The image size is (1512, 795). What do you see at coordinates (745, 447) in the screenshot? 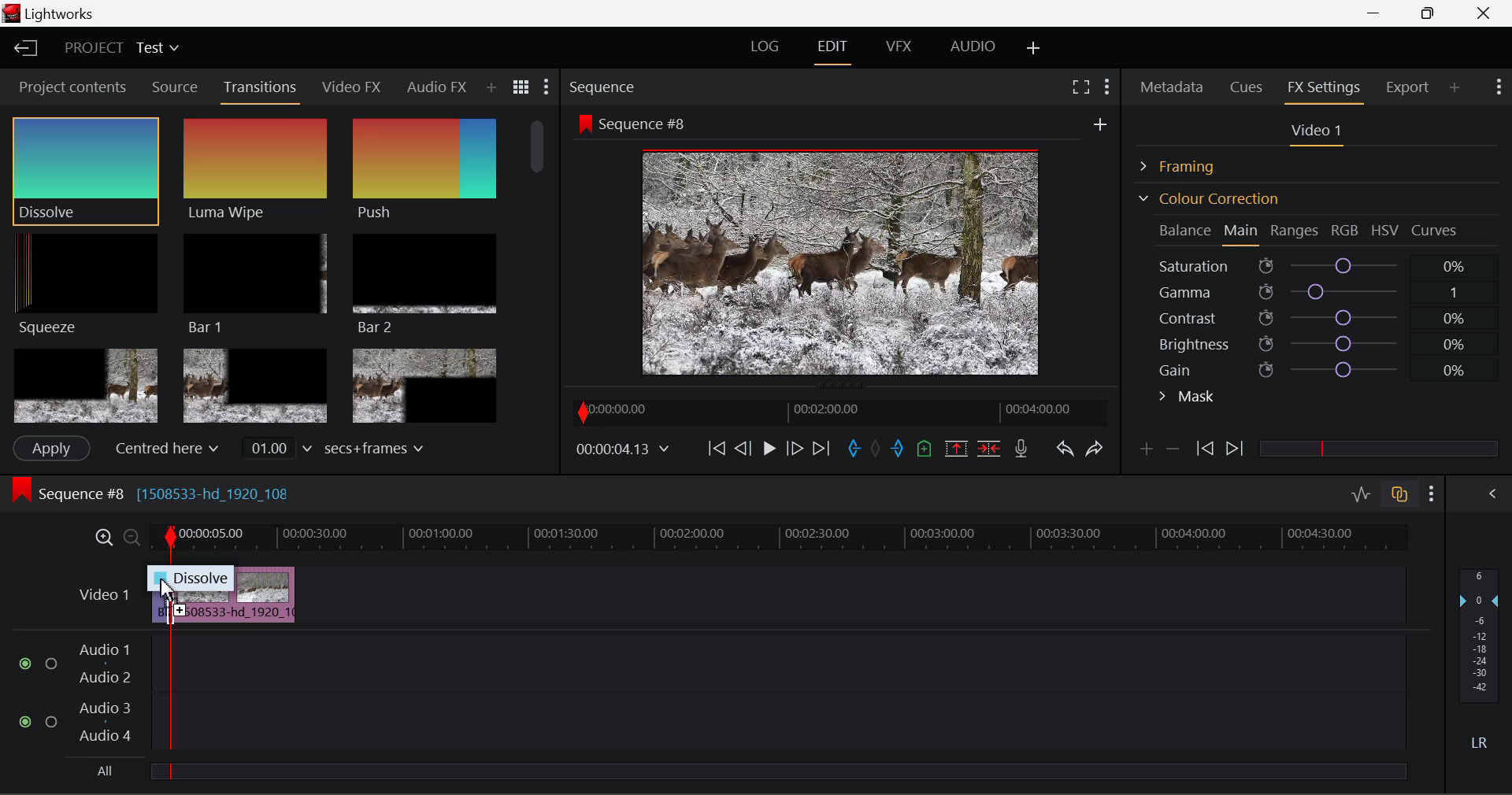
I see `Go Back` at bounding box center [745, 447].